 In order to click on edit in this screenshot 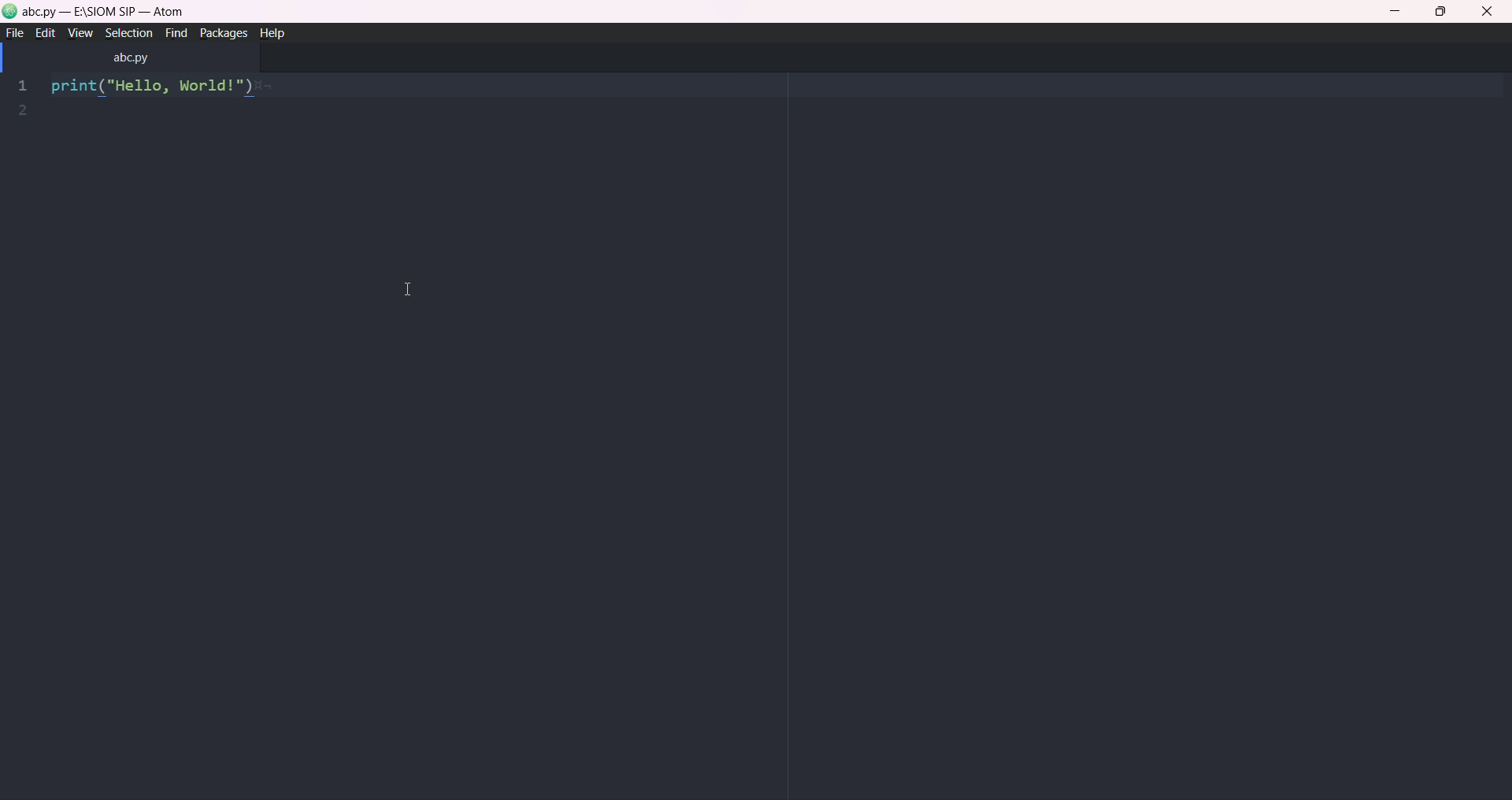, I will do `click(42, 33)`.